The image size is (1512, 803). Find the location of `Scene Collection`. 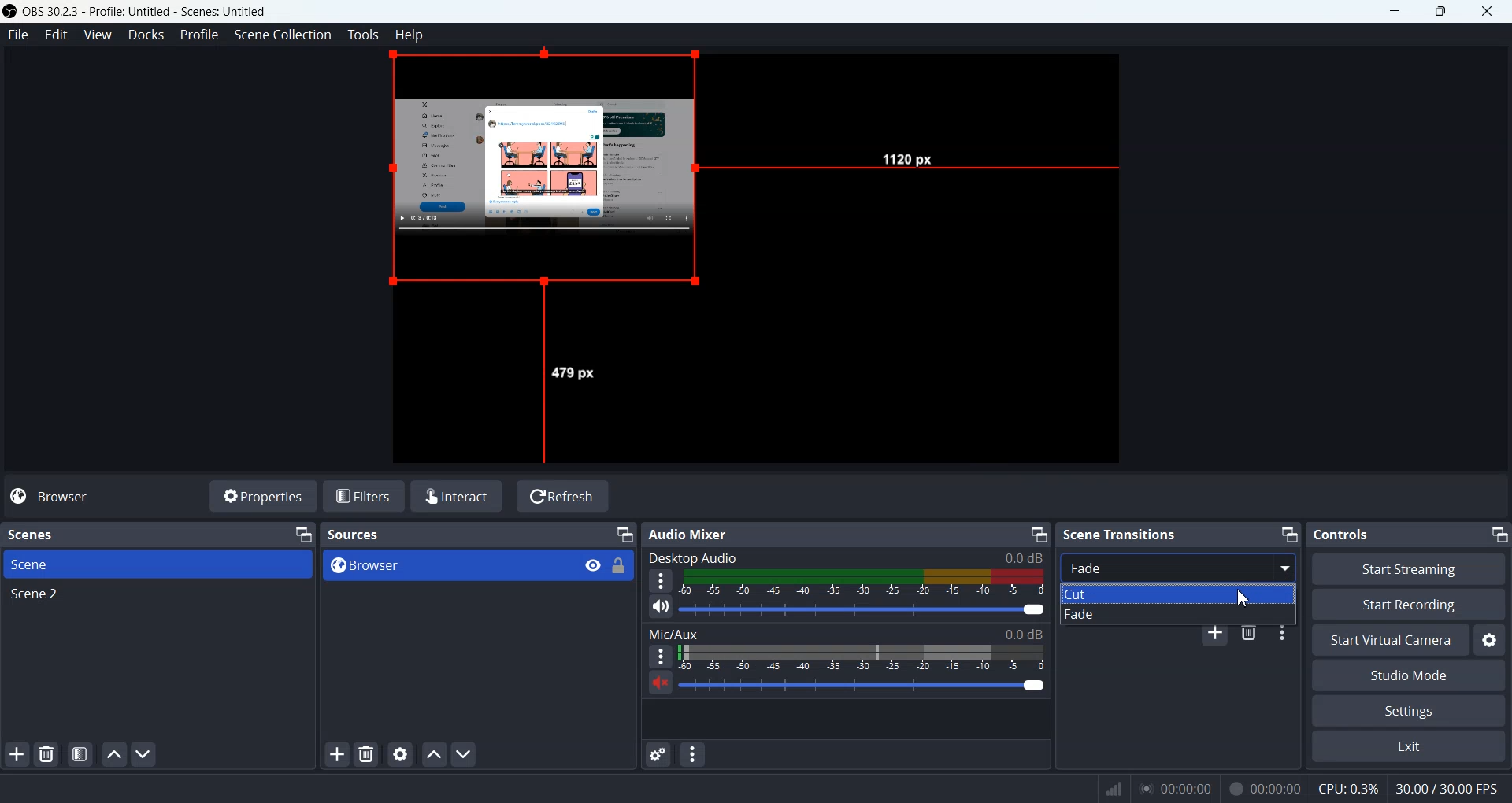

Scene Collection is located at coordinates (283, 35).